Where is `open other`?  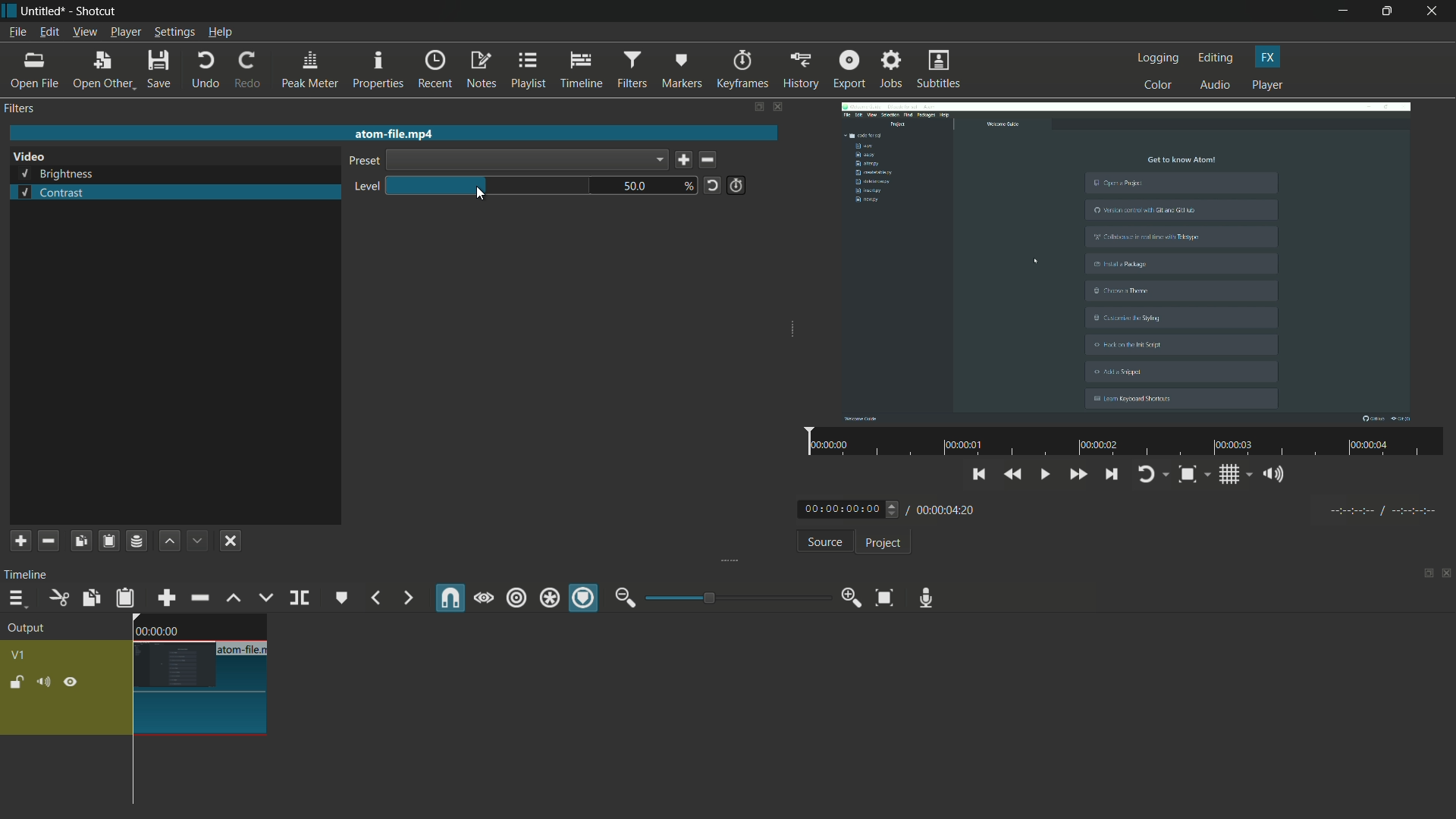
open other is located at coordinates (103, 71).